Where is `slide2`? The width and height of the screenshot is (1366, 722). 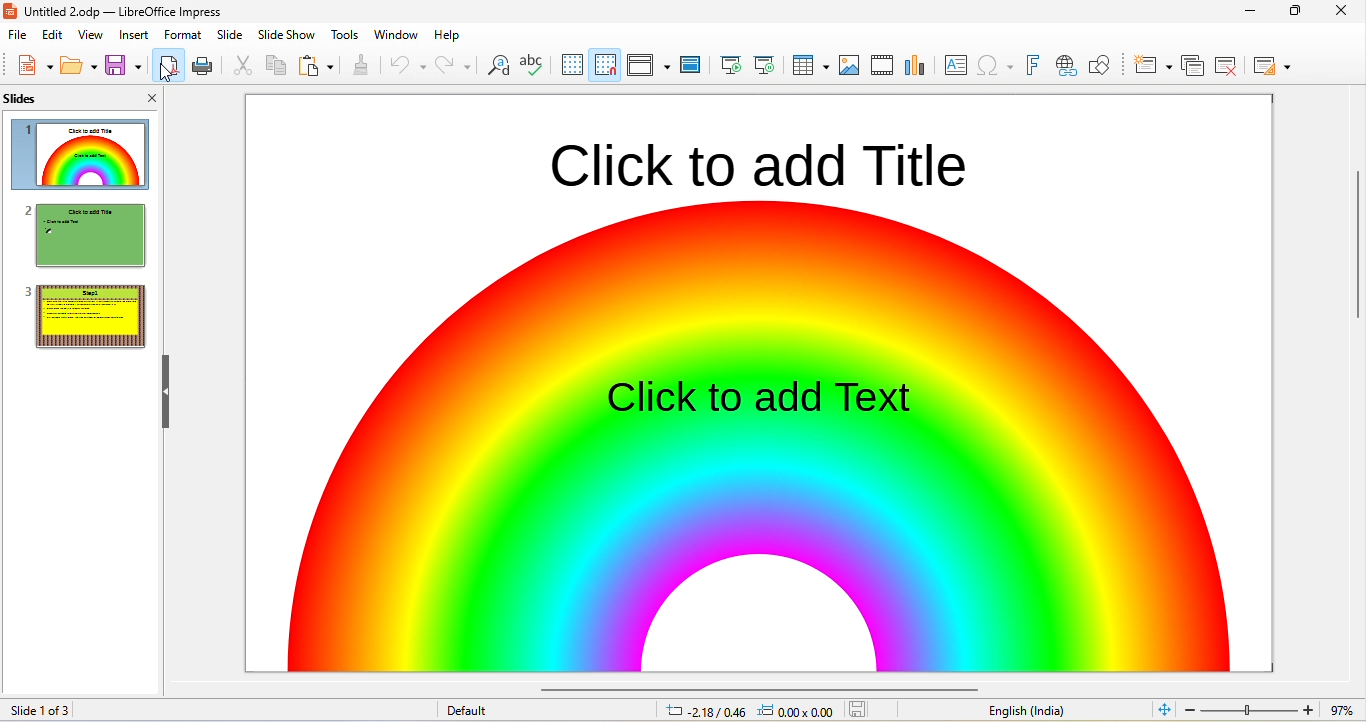 slide2 is located at coordinates (87, 235).